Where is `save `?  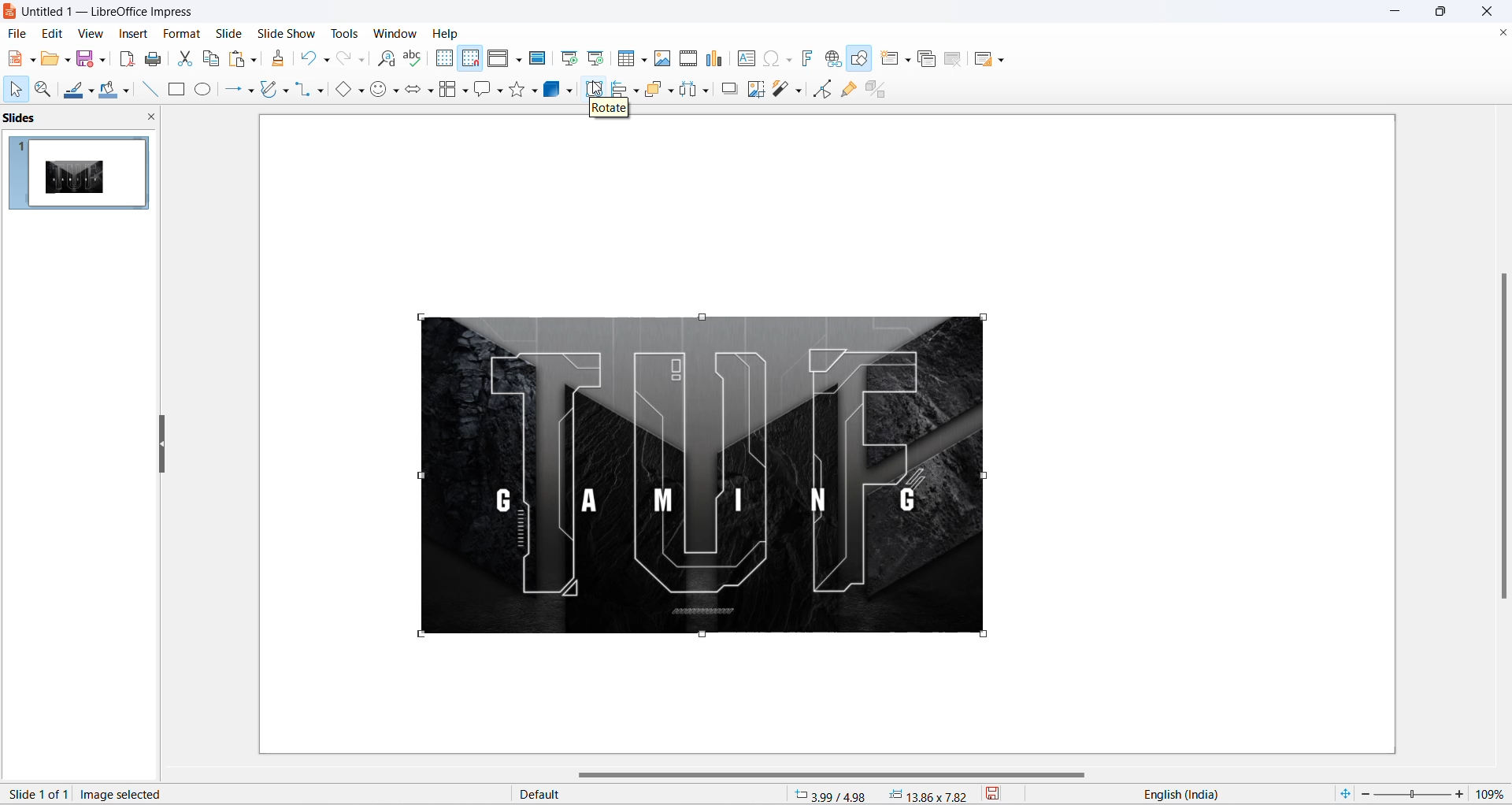
save  is located at coordinates (86, 61).